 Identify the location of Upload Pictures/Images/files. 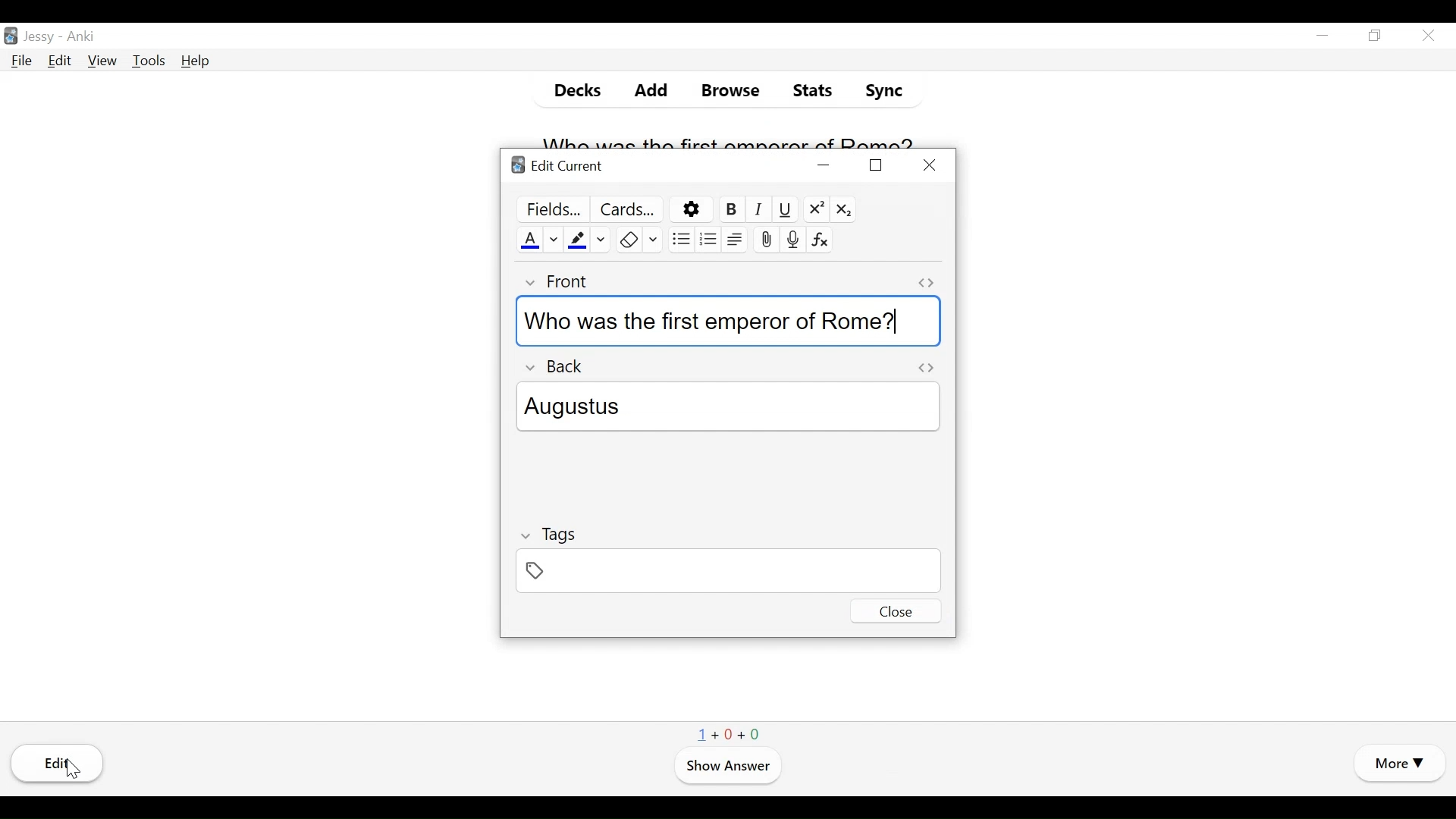
(765, 240).